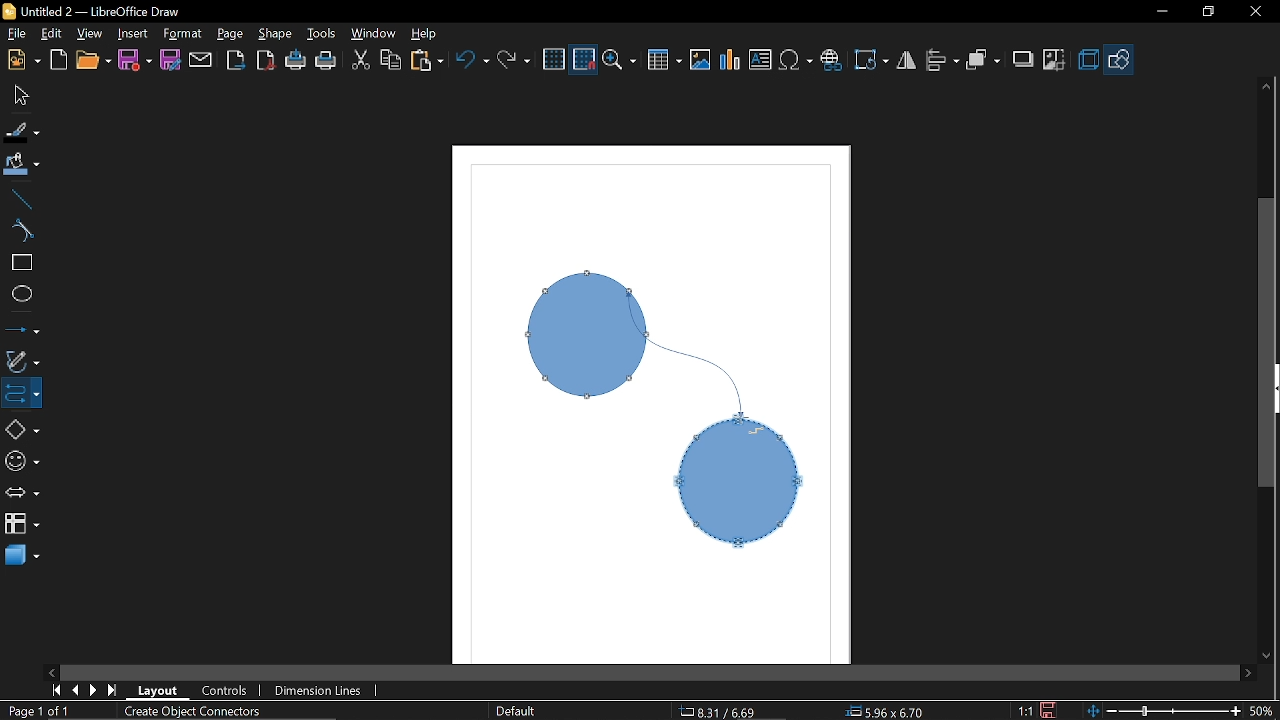 This screenshot has height=720, width=1280. What do you see at coordinates (427, 59) in the screenshot?
I see `Paste` at bounding box center [427, 59].